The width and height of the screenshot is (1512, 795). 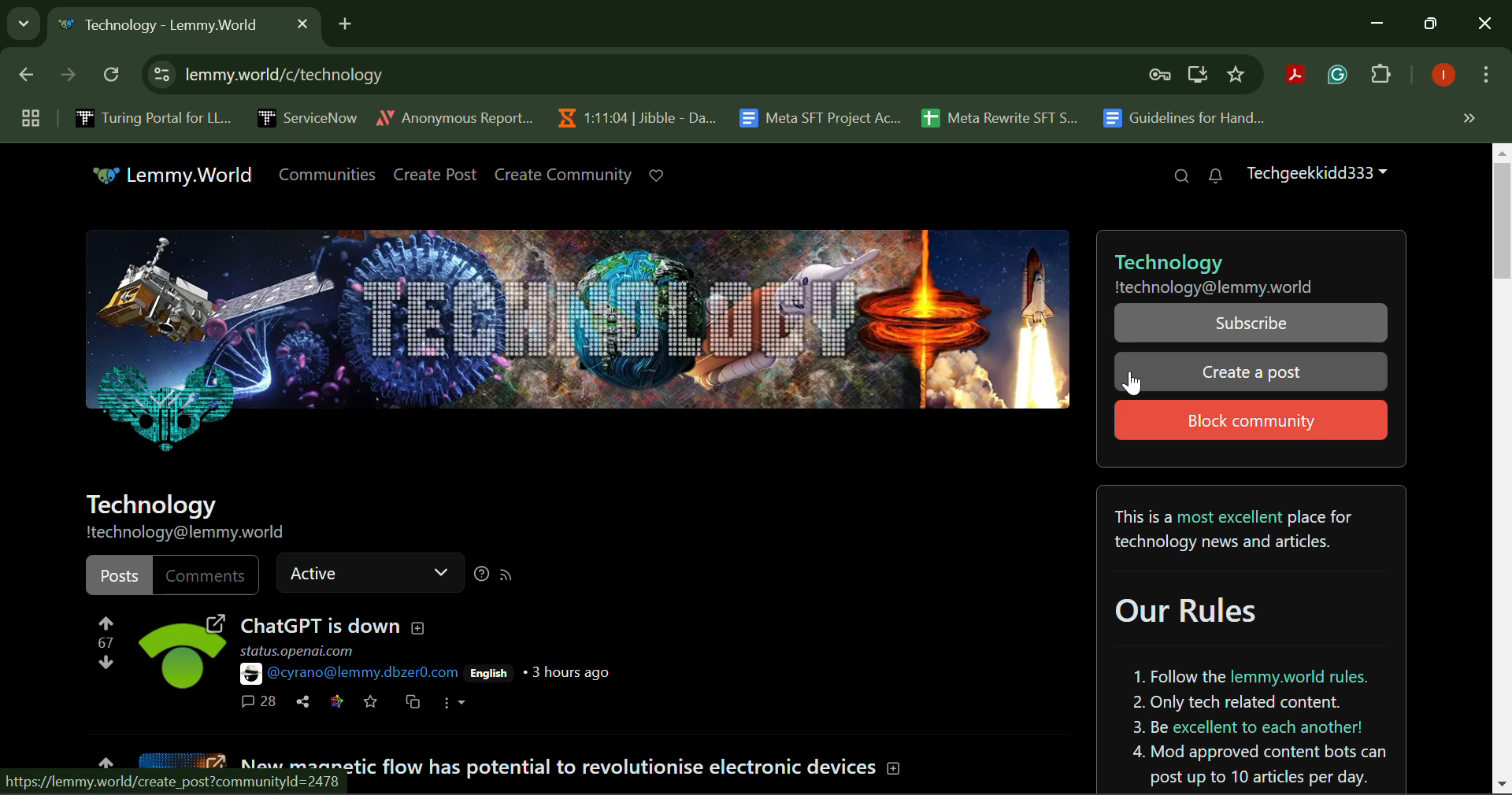 What do you see at coordinates (150, 117) in the screenshot?
I see `Turing Portal for LLM` at bounding box center [150, 117].